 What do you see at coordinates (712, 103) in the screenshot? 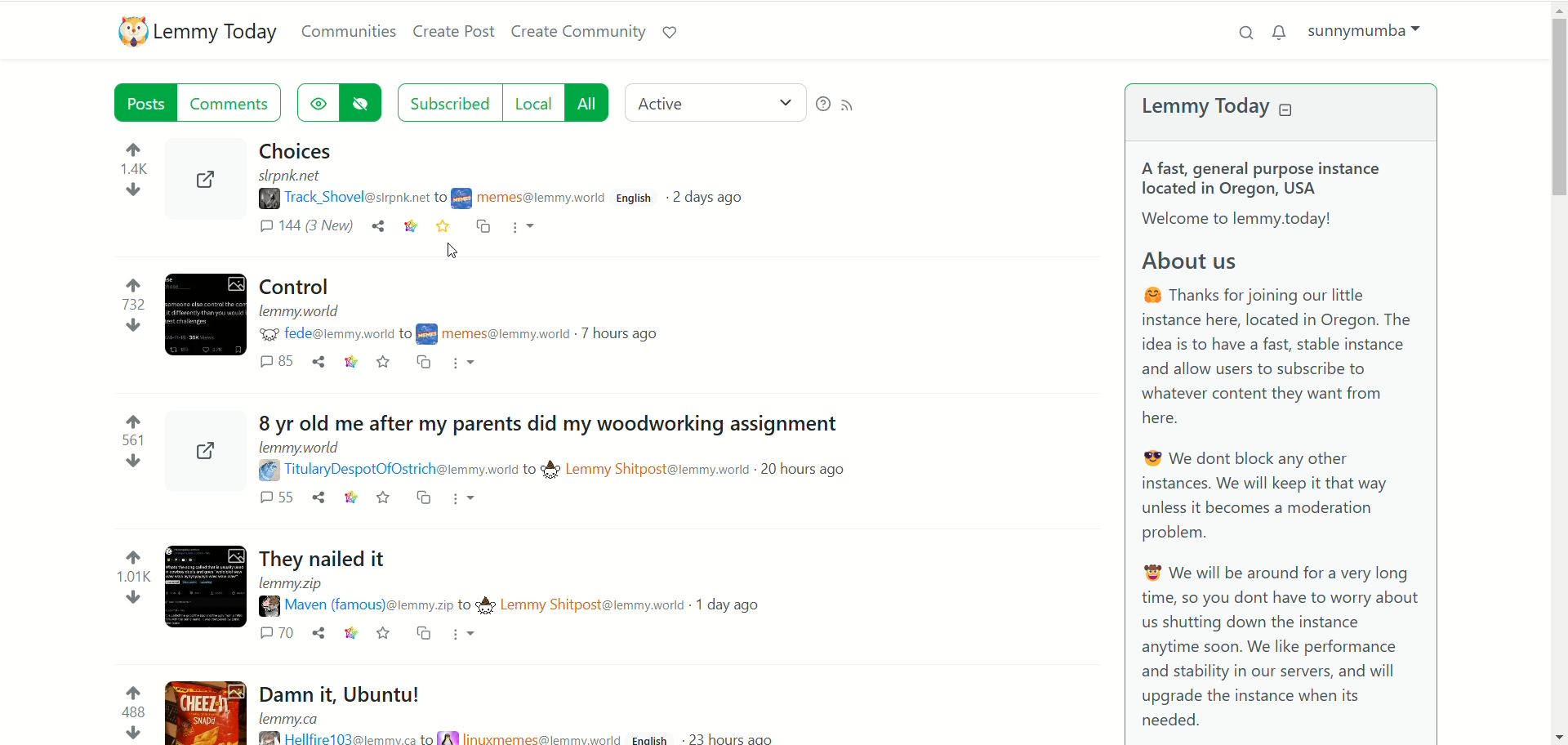
I see `active` at bounding box center [712, 103].